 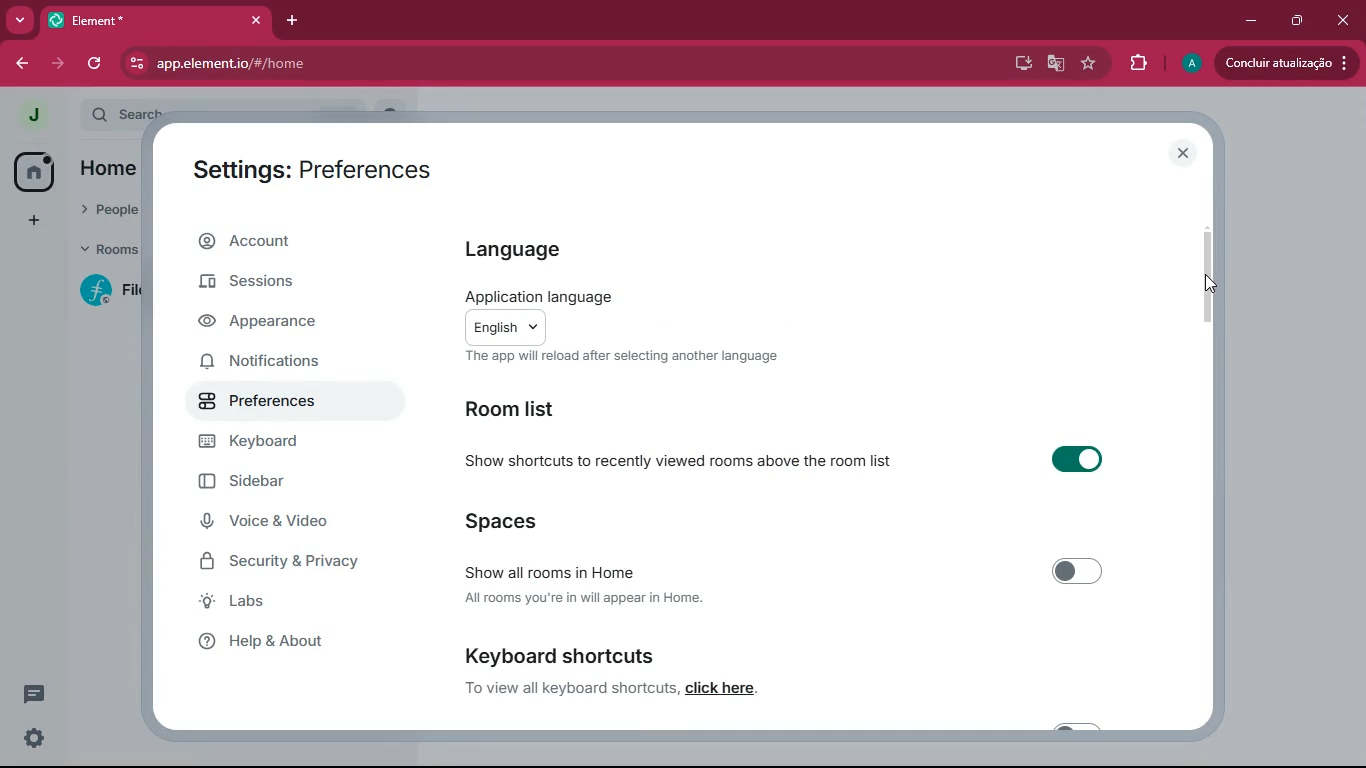 I want to click on language, so click(x=535, y=253).